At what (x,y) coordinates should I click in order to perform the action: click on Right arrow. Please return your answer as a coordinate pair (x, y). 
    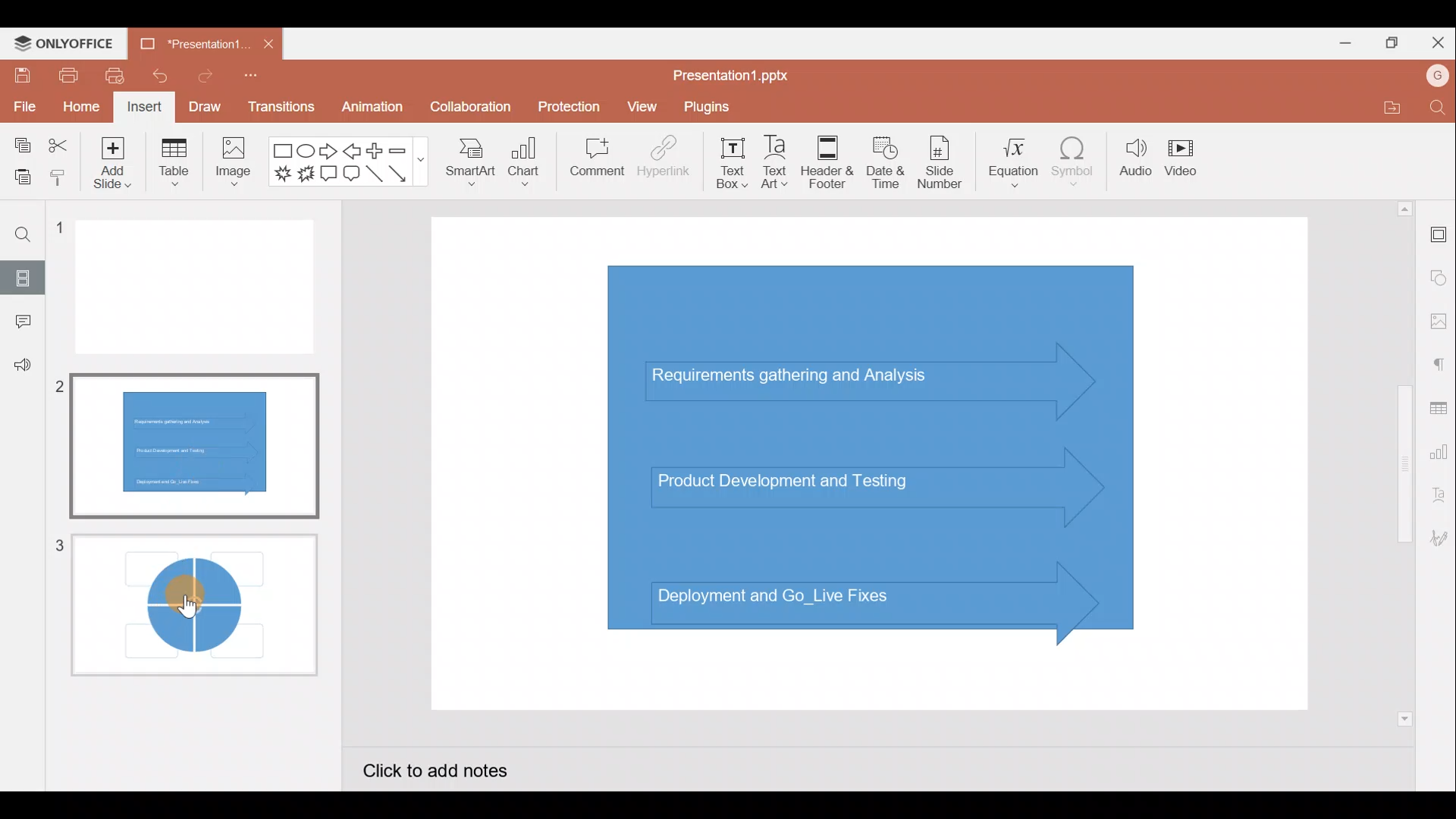
    Looking at the image, I should click on (329, 152).